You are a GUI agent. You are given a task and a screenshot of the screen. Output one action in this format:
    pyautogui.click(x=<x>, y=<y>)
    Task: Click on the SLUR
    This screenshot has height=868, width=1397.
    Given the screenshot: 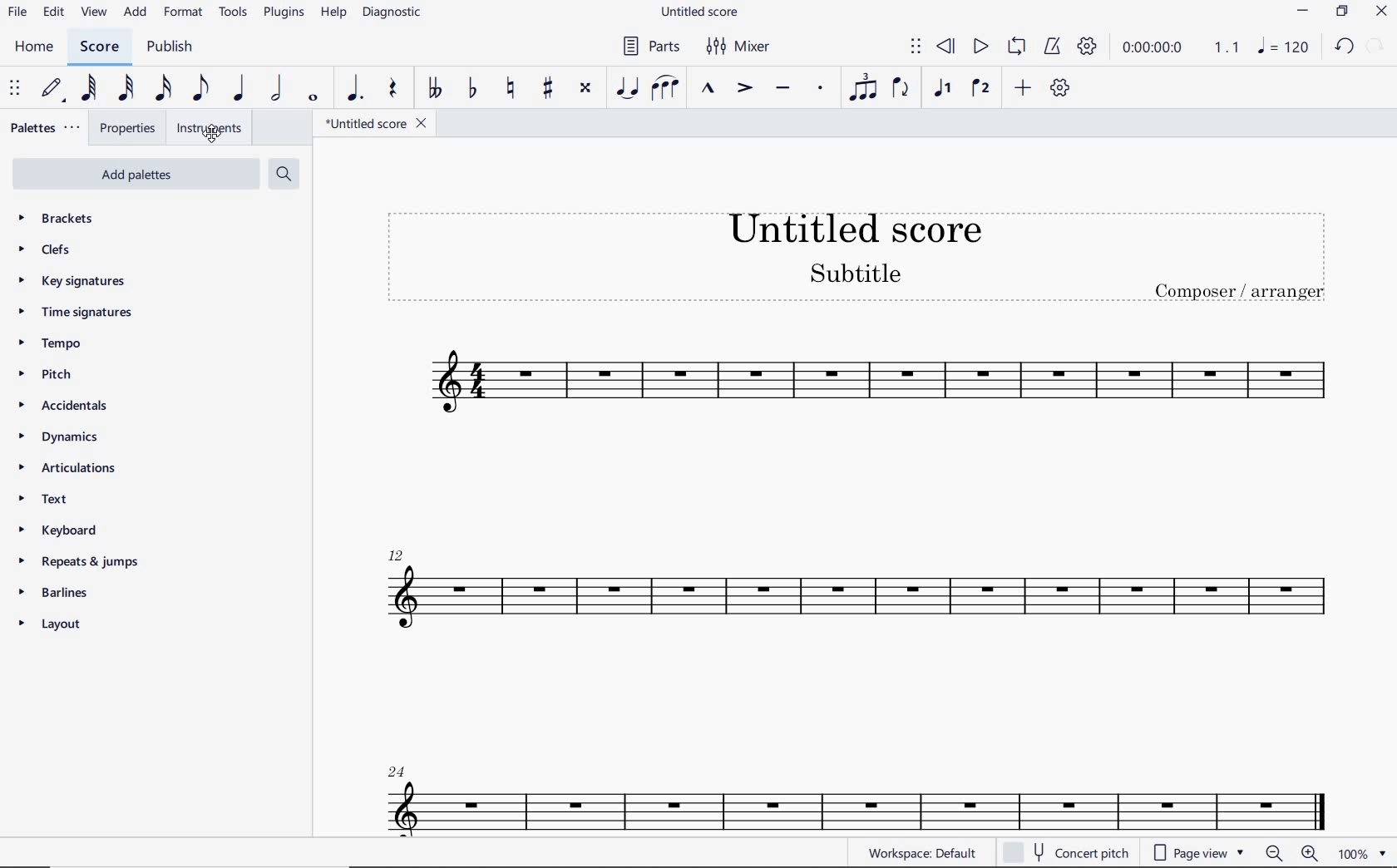 What is the action you would take?
    pyautogui.click(x=665, y=88)
    